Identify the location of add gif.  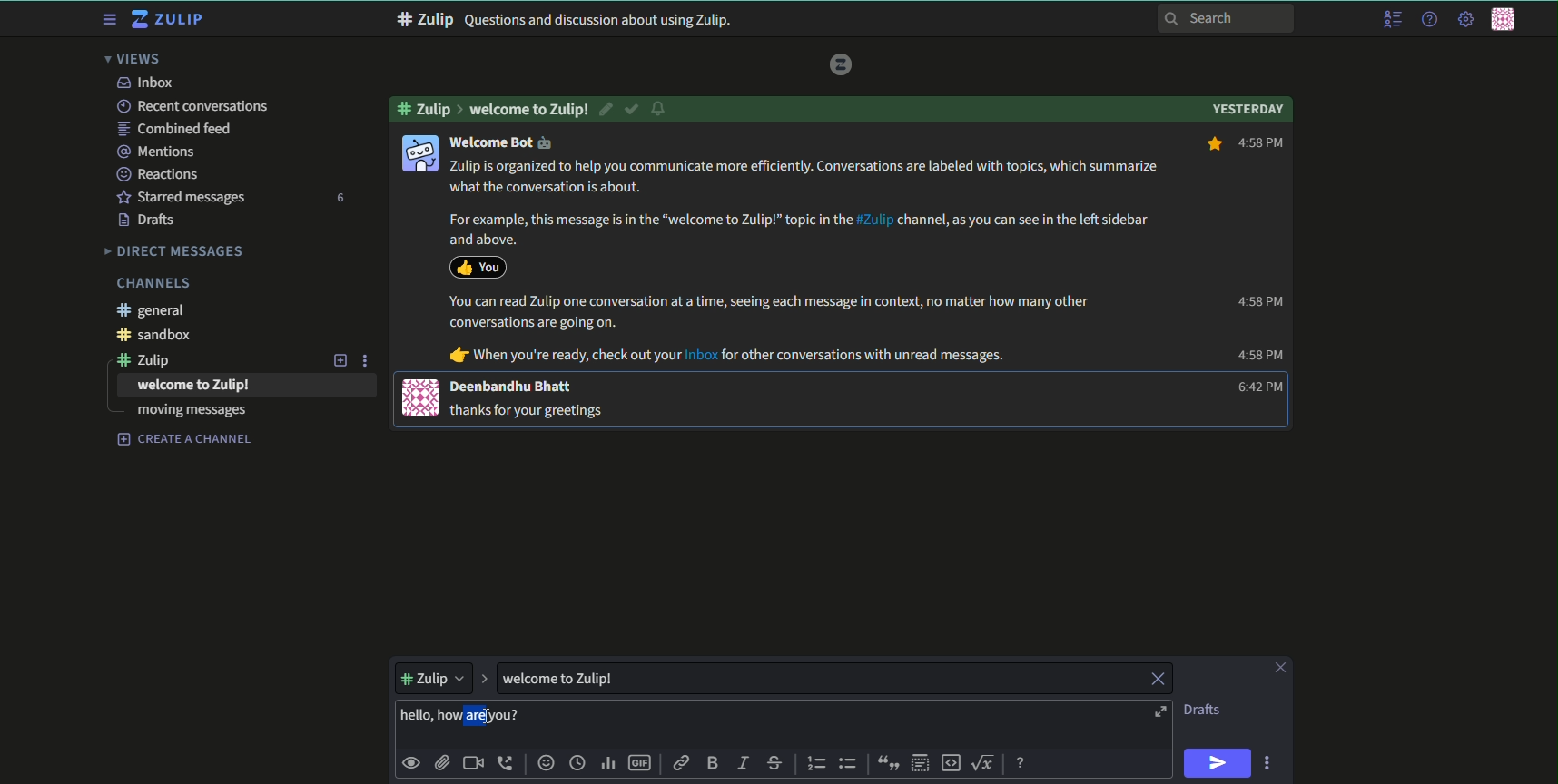
(642, 765).